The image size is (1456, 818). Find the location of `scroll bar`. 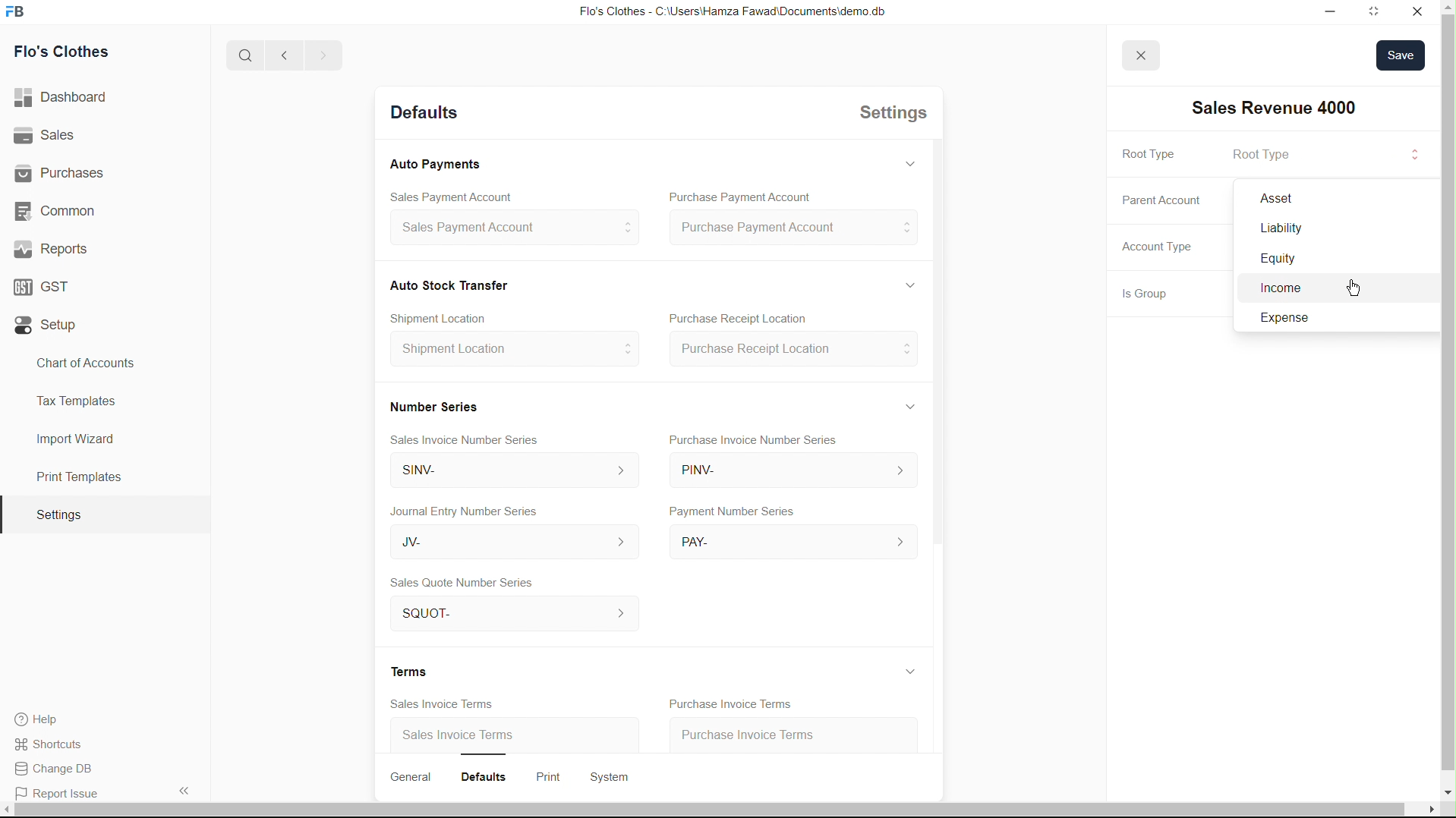

scroll bar is located at coordinates (714, 812).